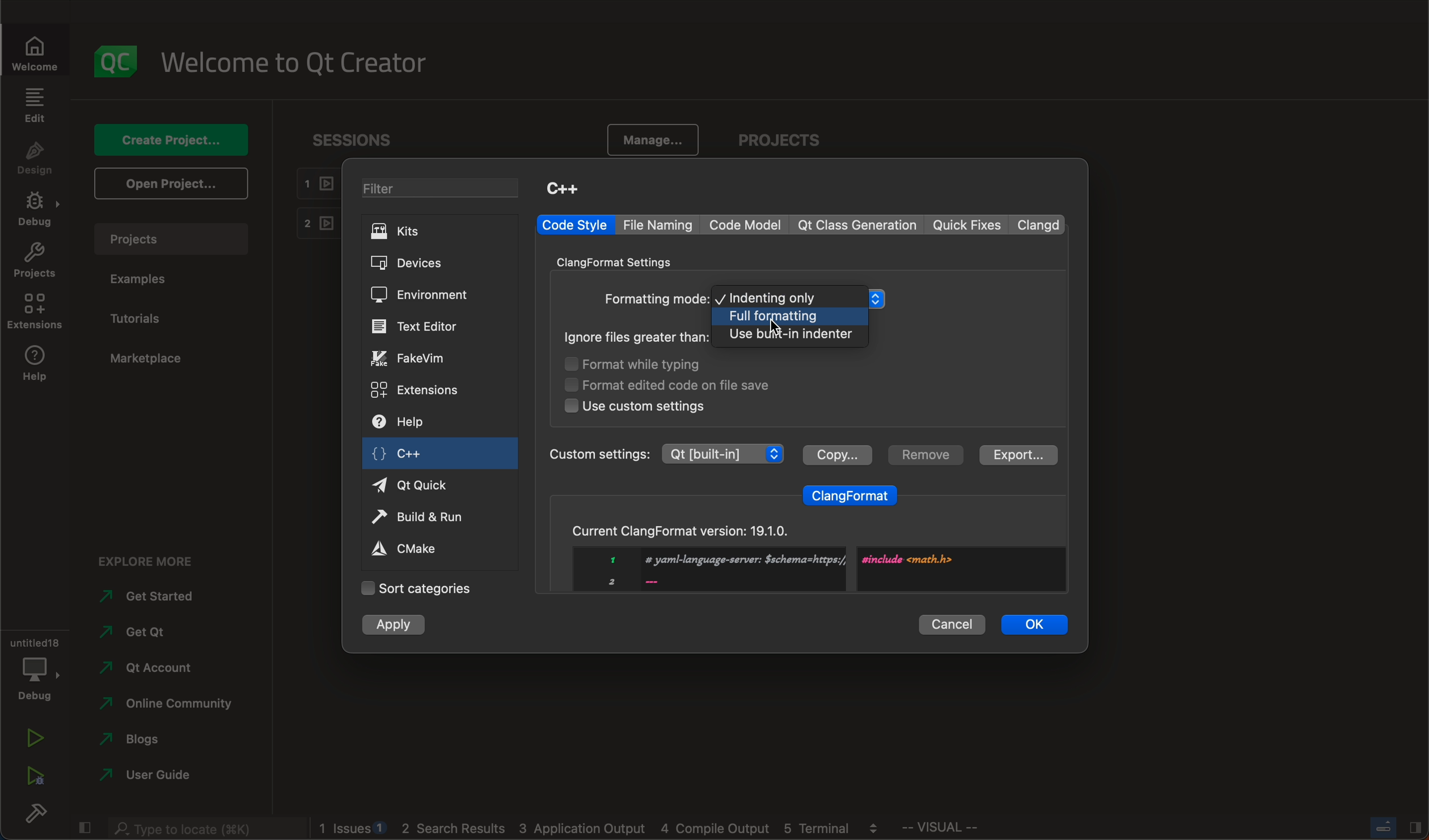 Image resolution: width=1429 pixels, height=840 pixels. What do you see at coordinates (650, 365) in the screenshot?
I see `typing format` at bounding box center [650, 365].